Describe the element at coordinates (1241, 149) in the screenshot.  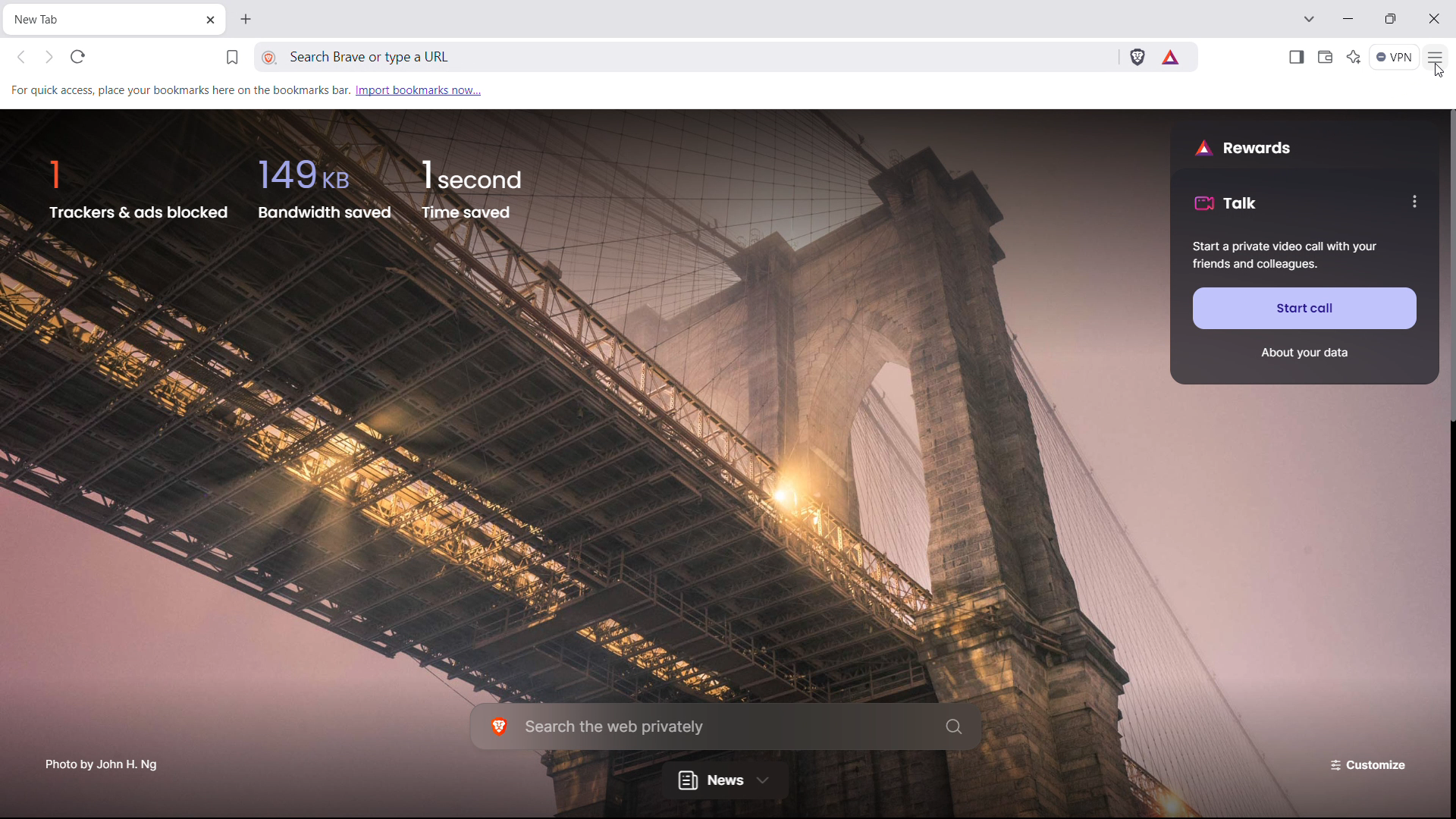
I see `rewards` at that location.